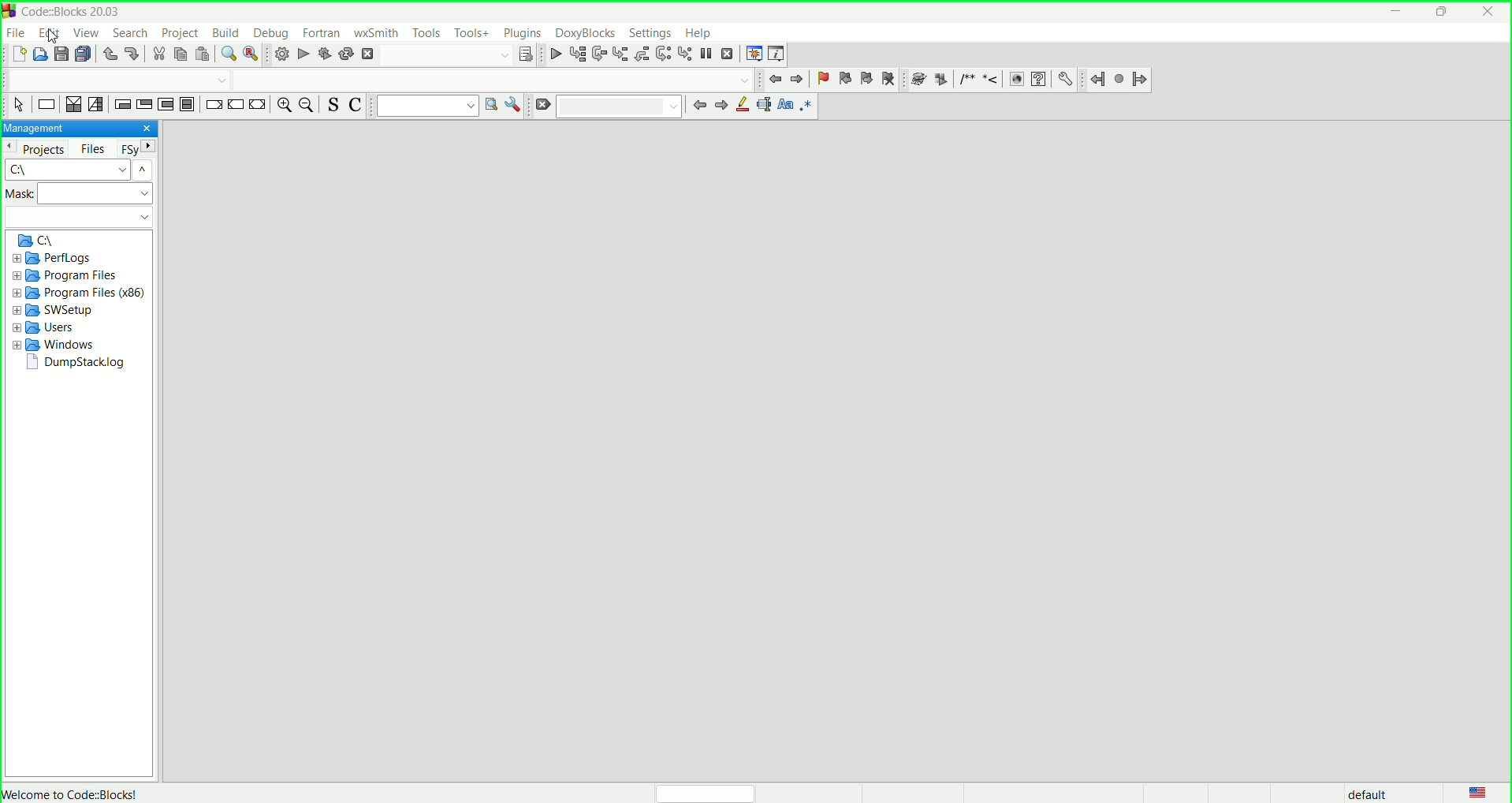  What do you see at coordinates (796, 79) in the screenshot?
I see `jump forward` at bounding box center [796, 79].